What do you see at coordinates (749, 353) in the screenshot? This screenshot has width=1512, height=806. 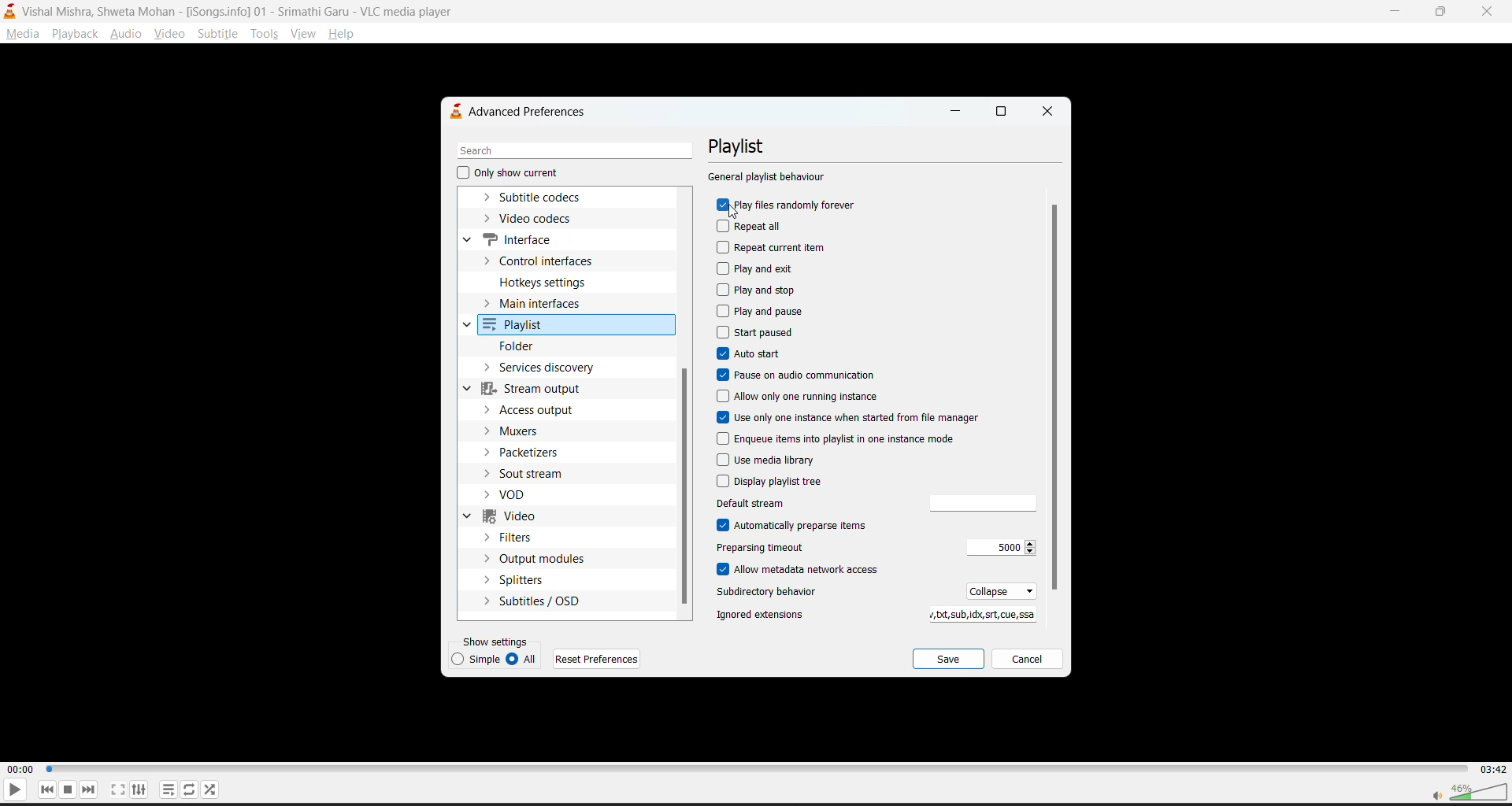 I see `autostart` at bounding box center [749, 353].